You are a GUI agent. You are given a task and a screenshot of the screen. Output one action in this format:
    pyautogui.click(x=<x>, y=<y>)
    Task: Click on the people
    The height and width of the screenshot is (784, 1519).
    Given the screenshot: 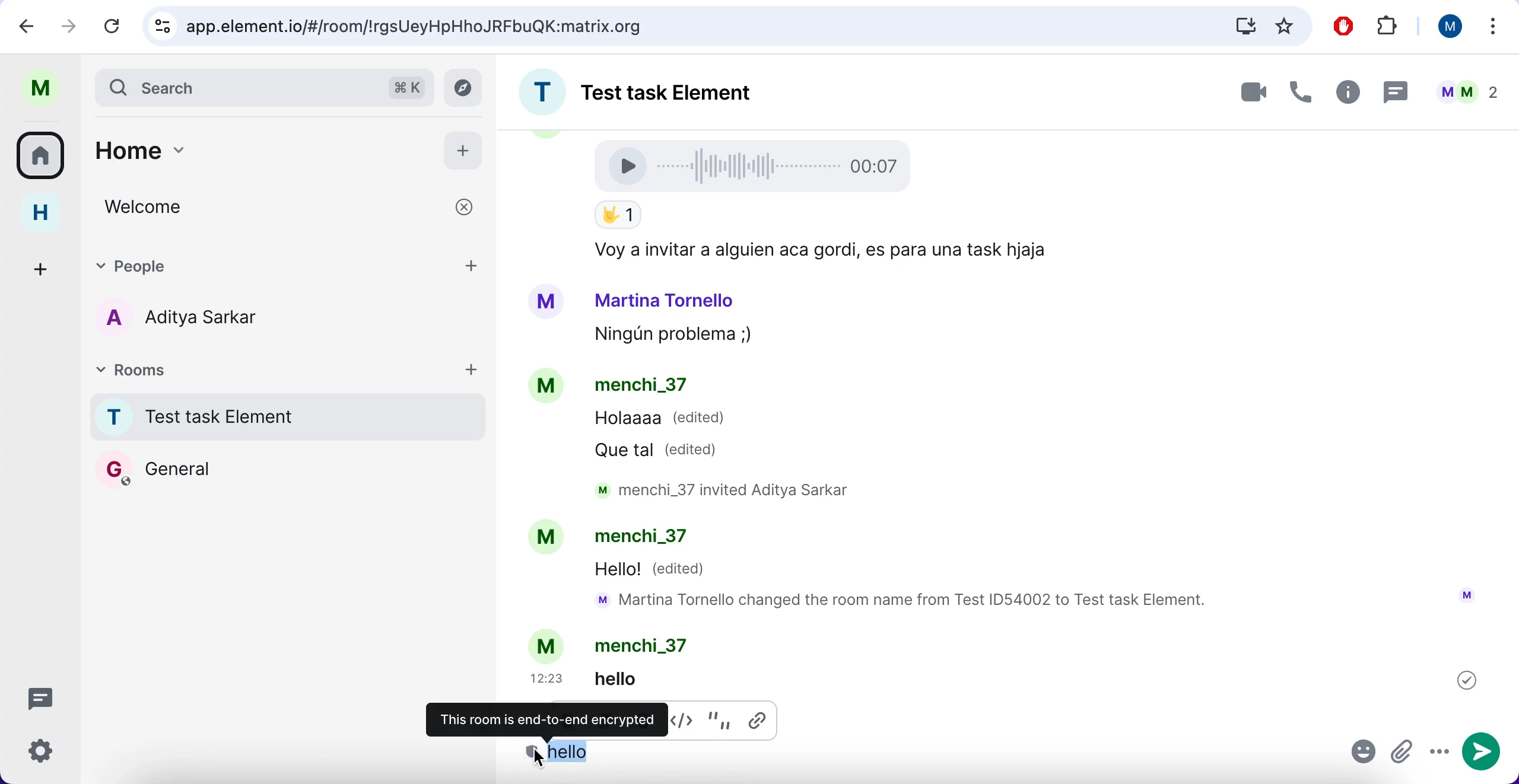 What is the action you would take?
    pyautogui.click(x=1467, y=92)
    